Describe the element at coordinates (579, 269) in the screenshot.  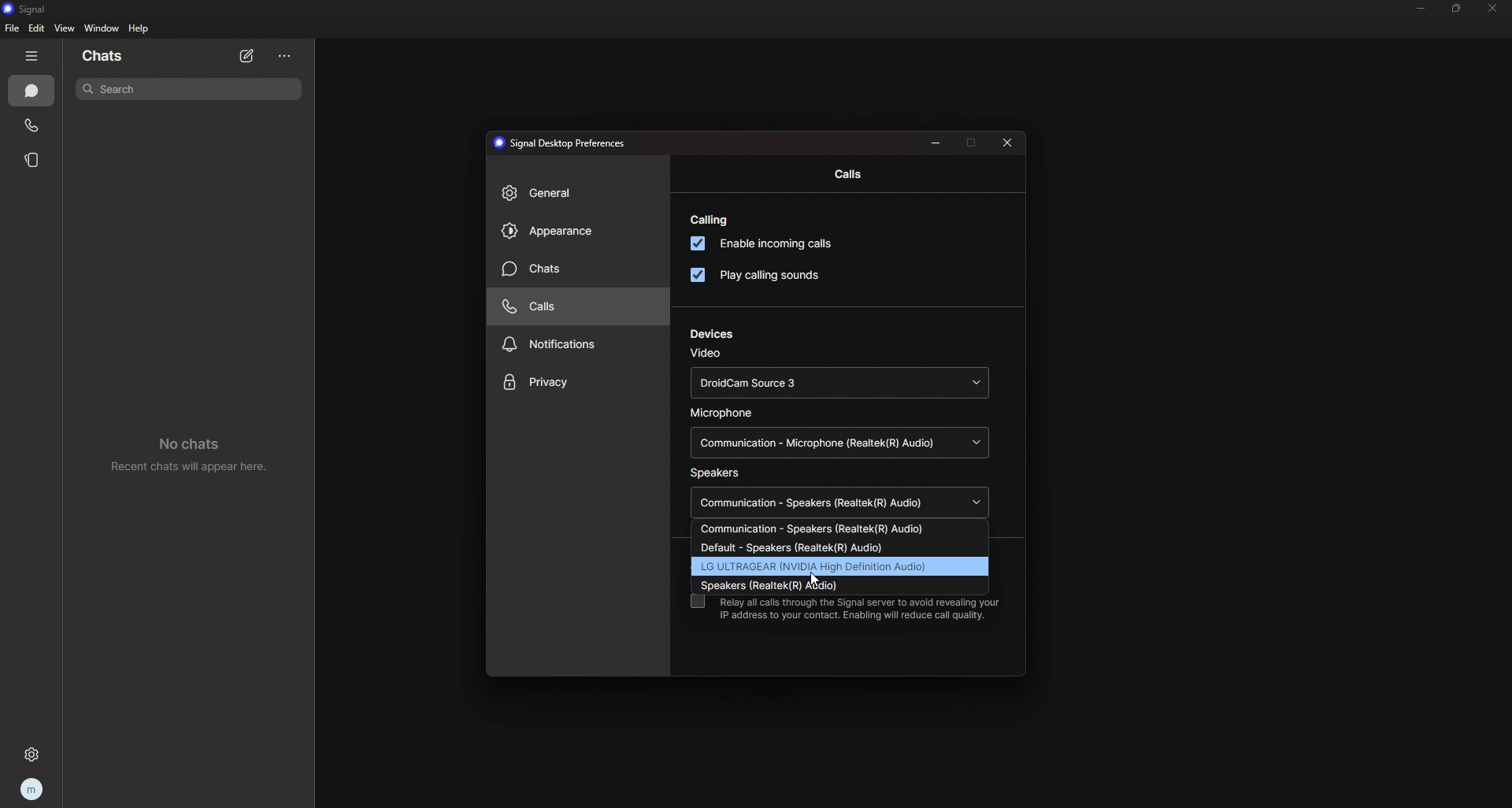
I see `chats` at that location.